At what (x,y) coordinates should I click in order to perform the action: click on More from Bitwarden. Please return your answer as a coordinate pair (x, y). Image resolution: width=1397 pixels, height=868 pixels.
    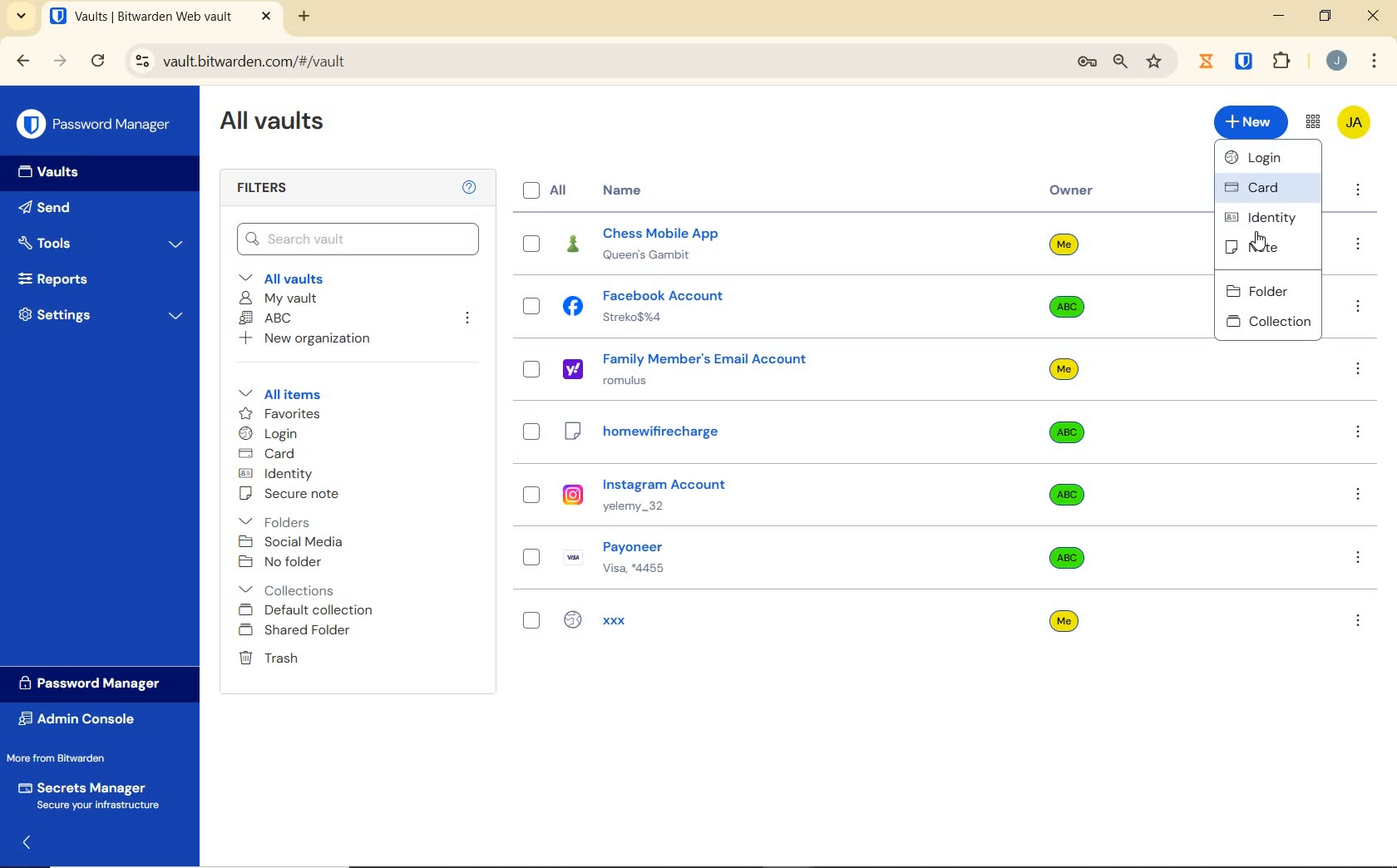
    Looking at the image, I should click on (73, 758).